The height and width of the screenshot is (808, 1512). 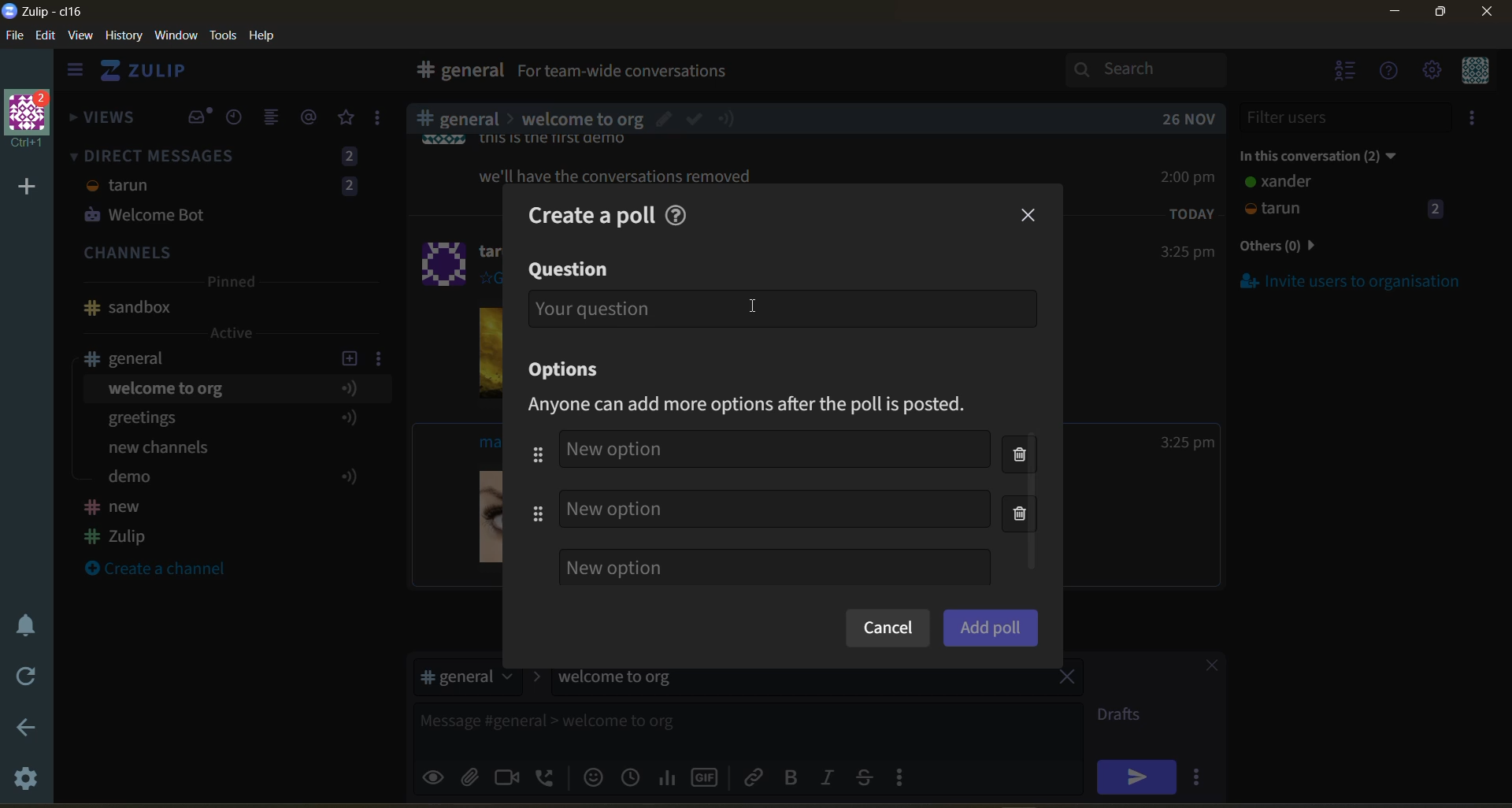 What do you see at coordinates (81, 36) in the screenshot?
I see `view` at bounding box center [81, 36].